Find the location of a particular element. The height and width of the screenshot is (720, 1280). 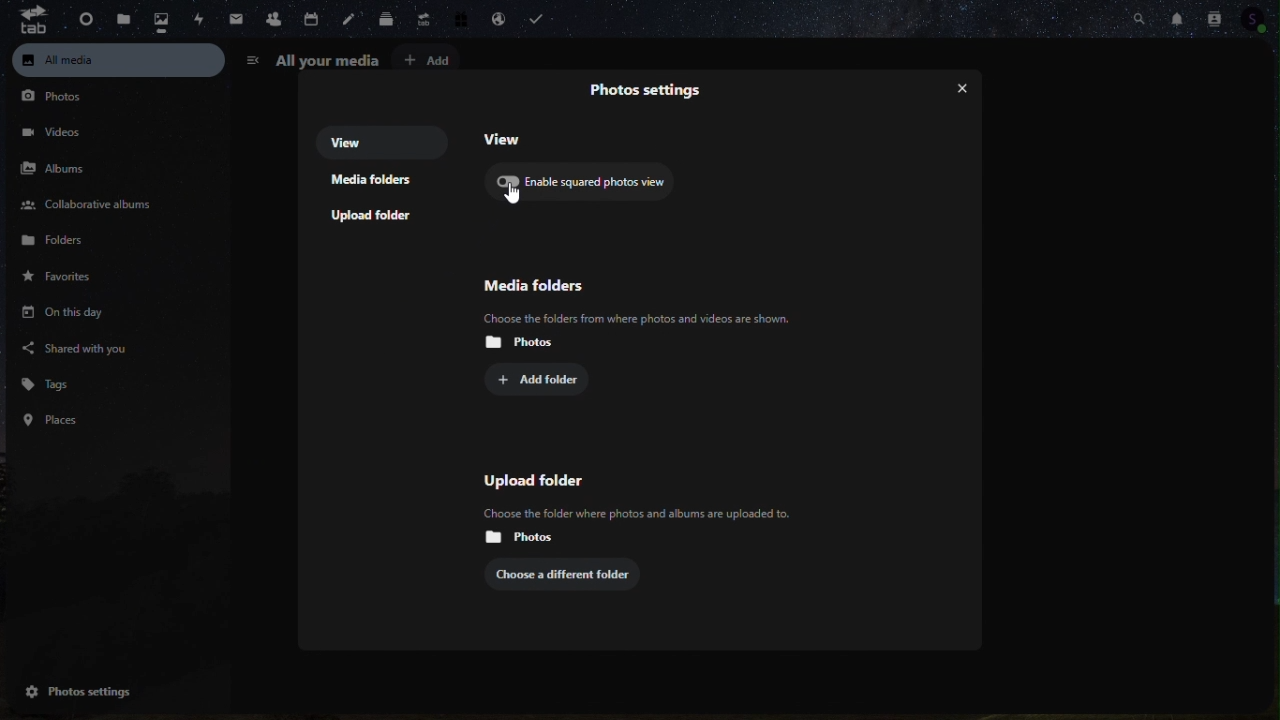

Contacts is located at coordinates (1211, 19).